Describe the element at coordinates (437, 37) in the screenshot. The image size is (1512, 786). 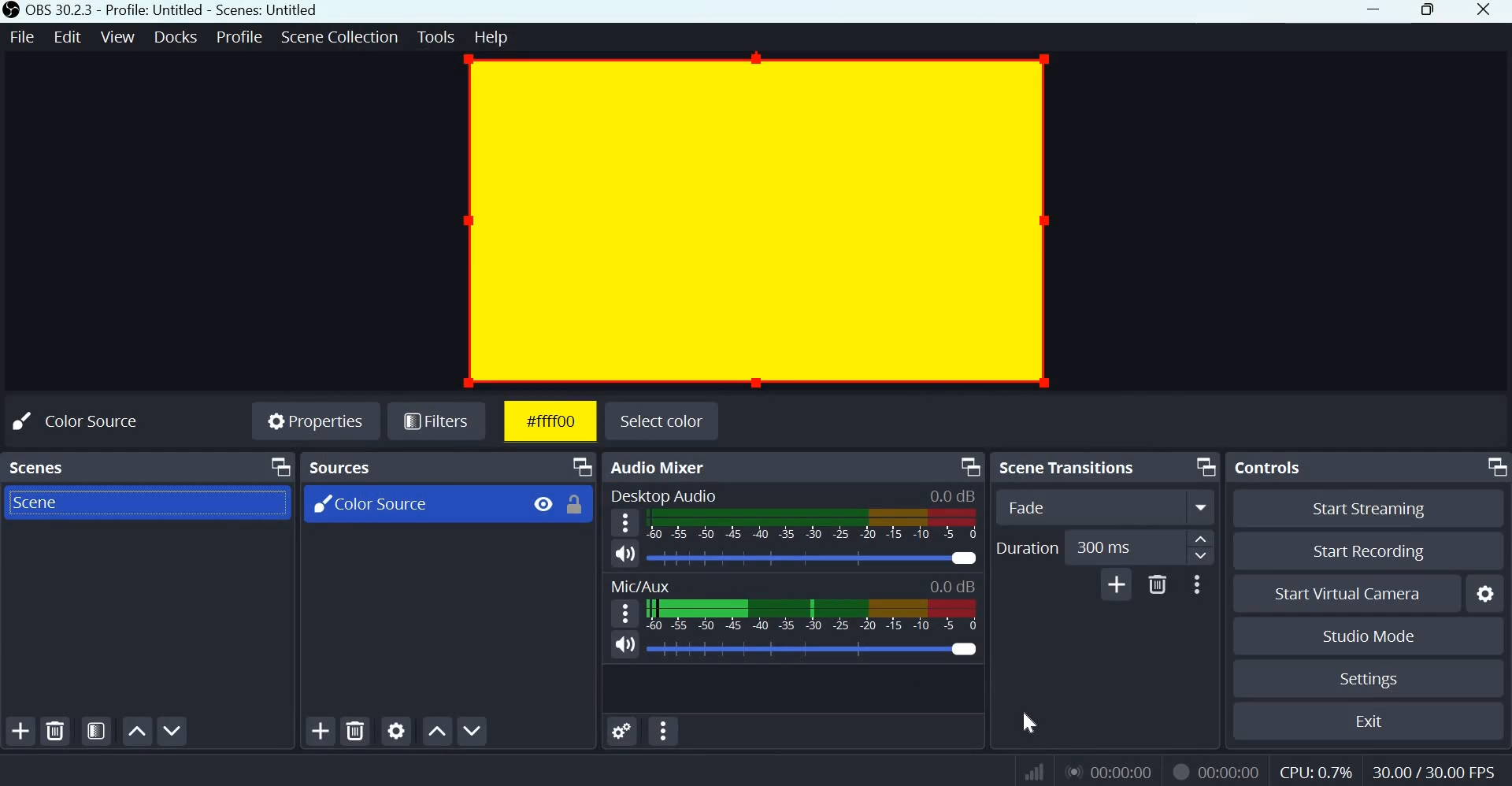
I see `Tools` at that location.